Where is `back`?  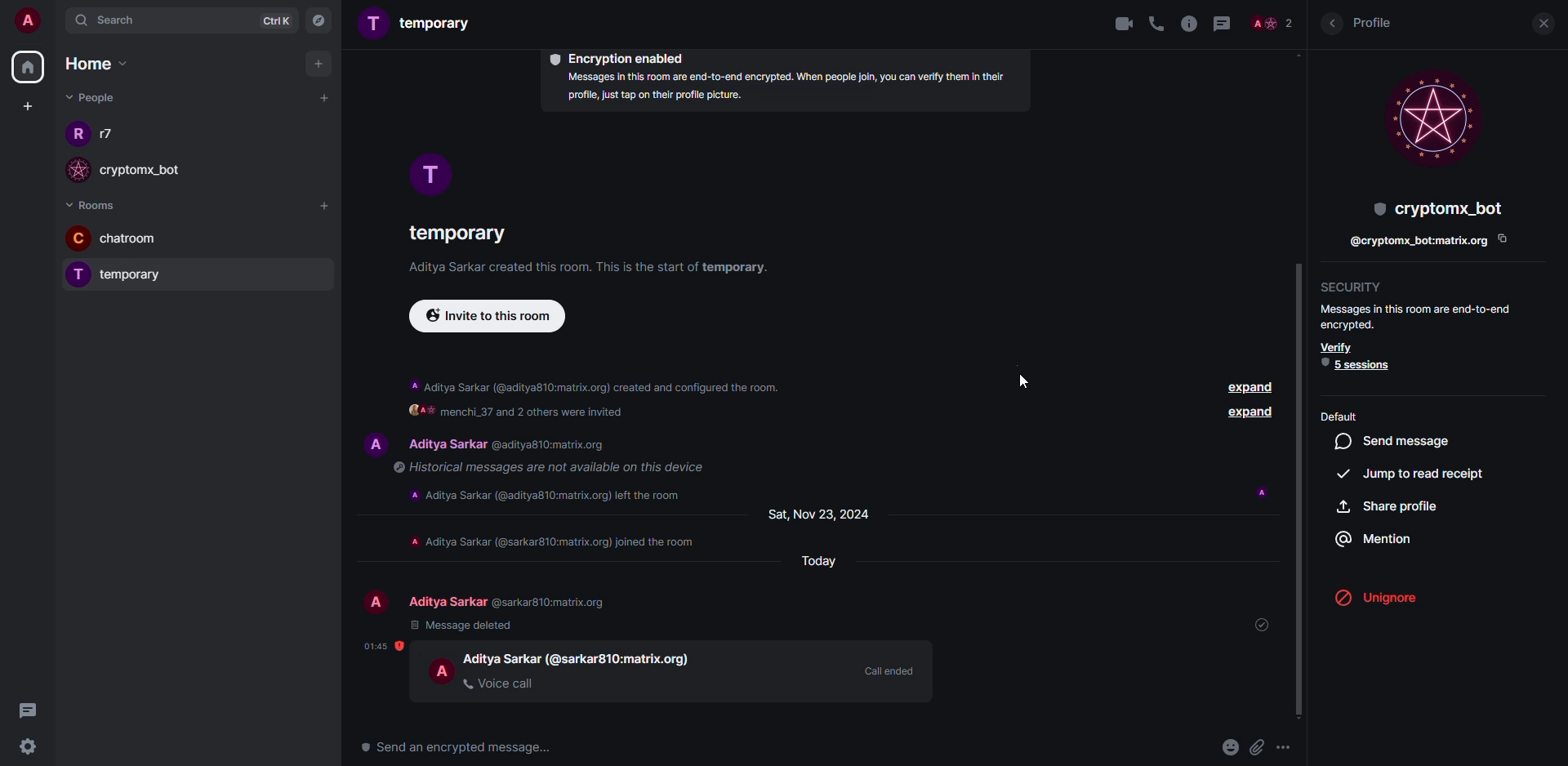
back is located at coordinates (1331, 24).